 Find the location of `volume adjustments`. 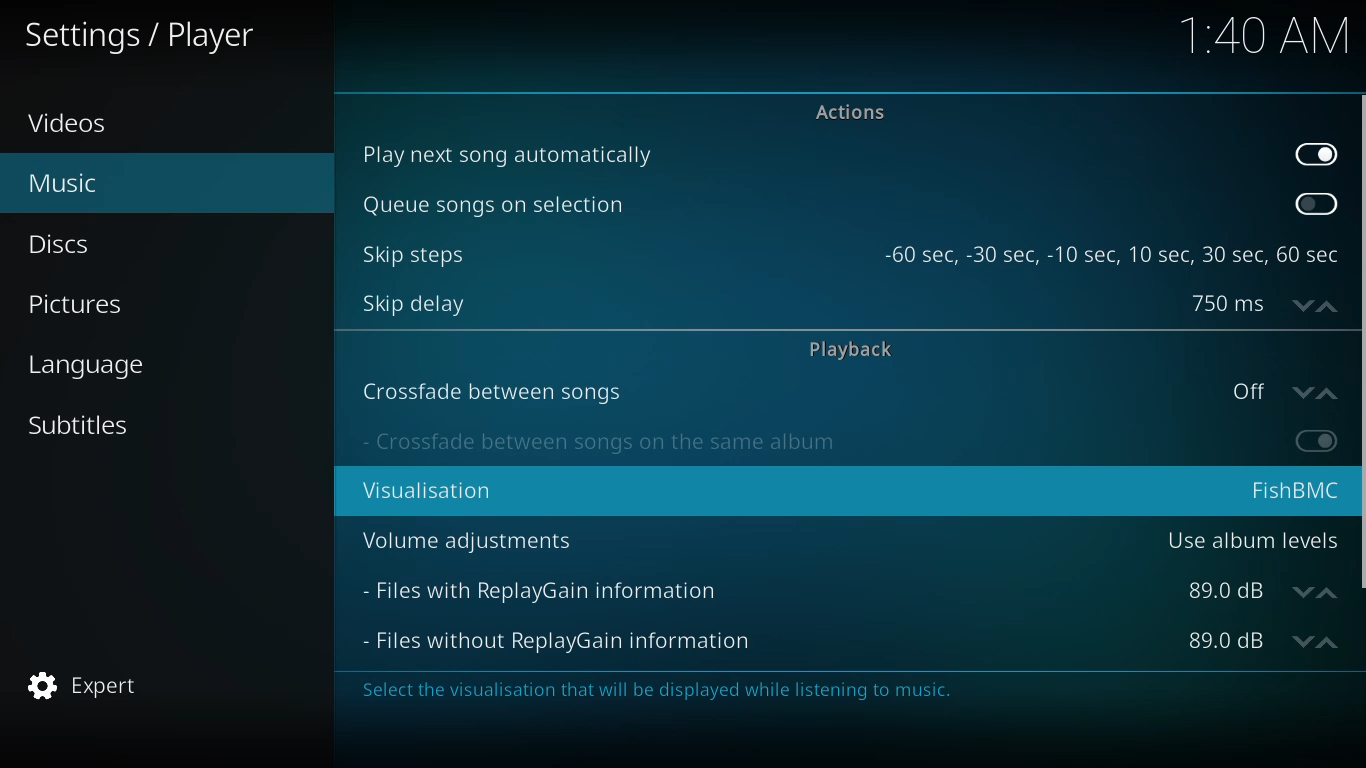

volume adjustments is located at coordinates (473, 538).